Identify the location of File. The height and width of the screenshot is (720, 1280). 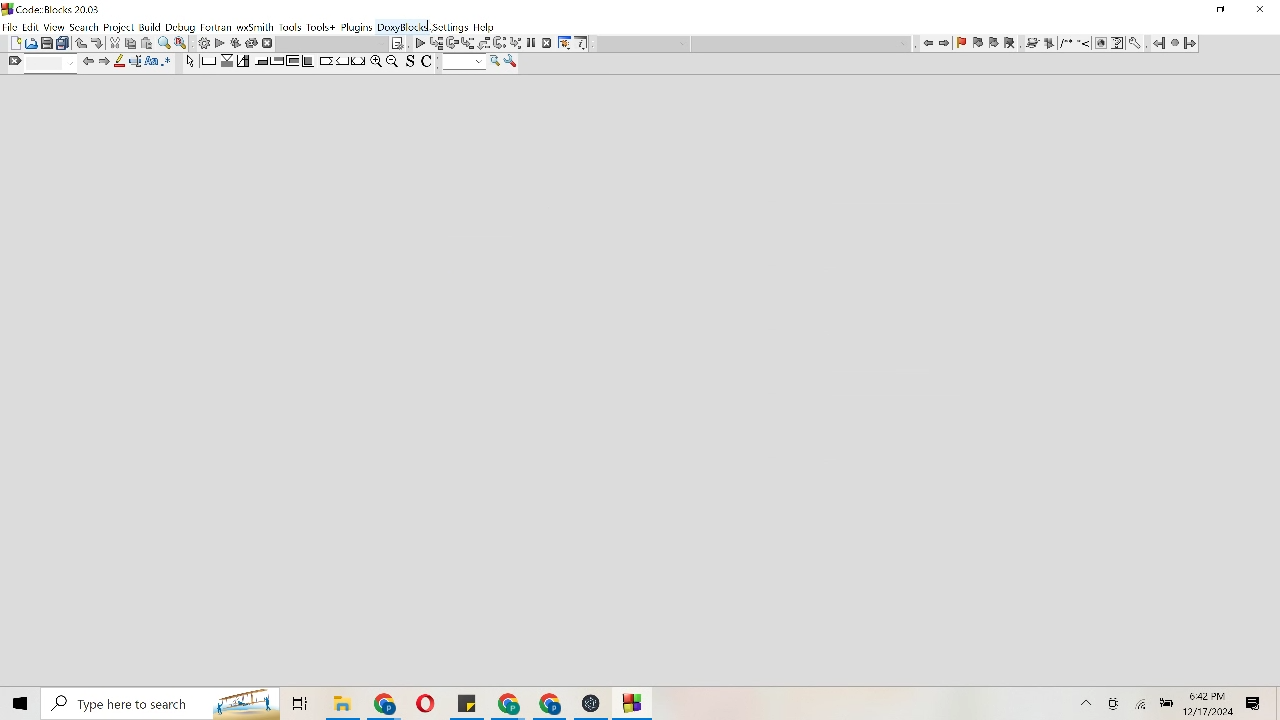
(551, 704).